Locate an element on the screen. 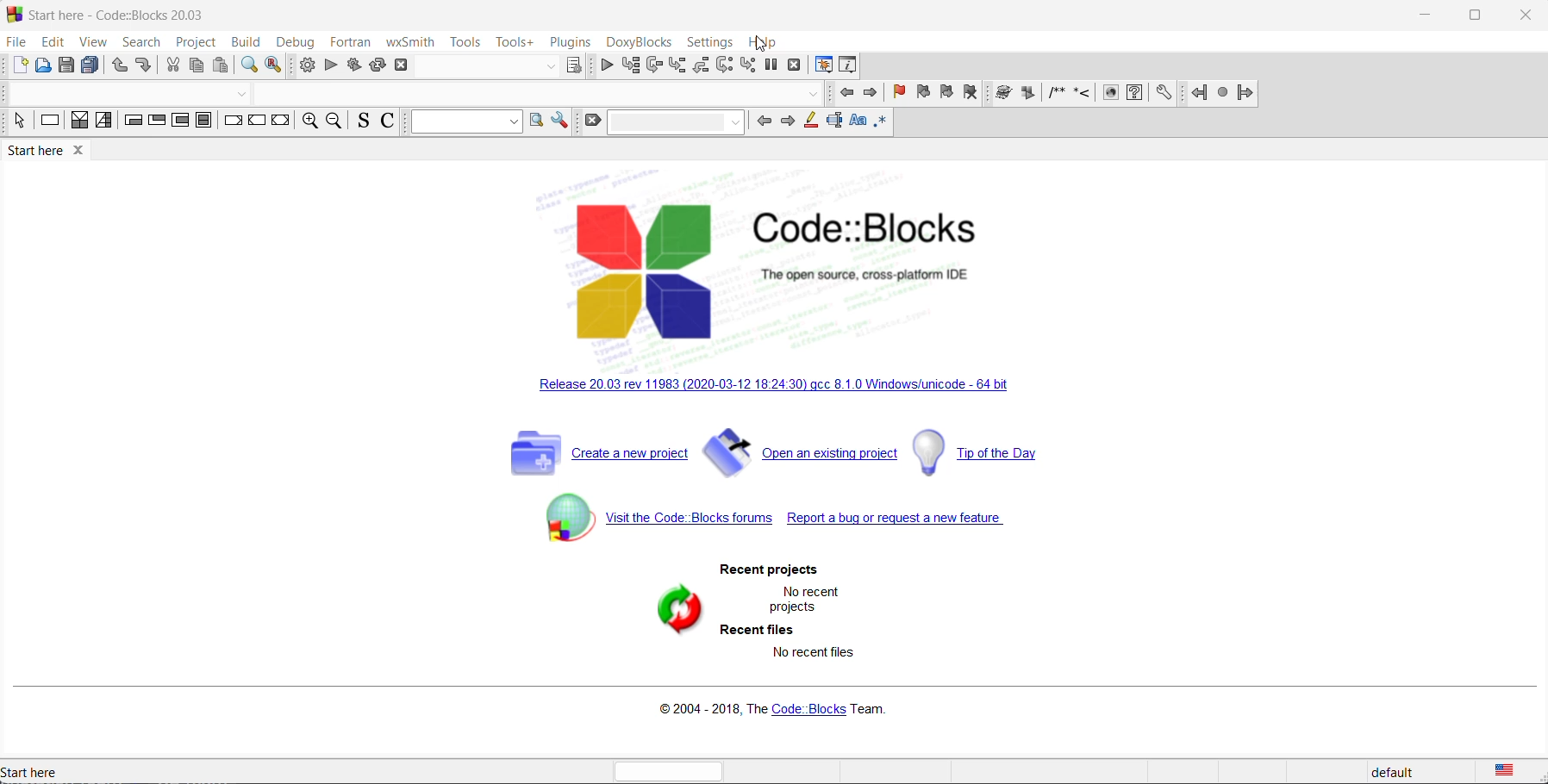 This screenshot has width=1548, height=784. icon is located at coordinates (1056, 94).